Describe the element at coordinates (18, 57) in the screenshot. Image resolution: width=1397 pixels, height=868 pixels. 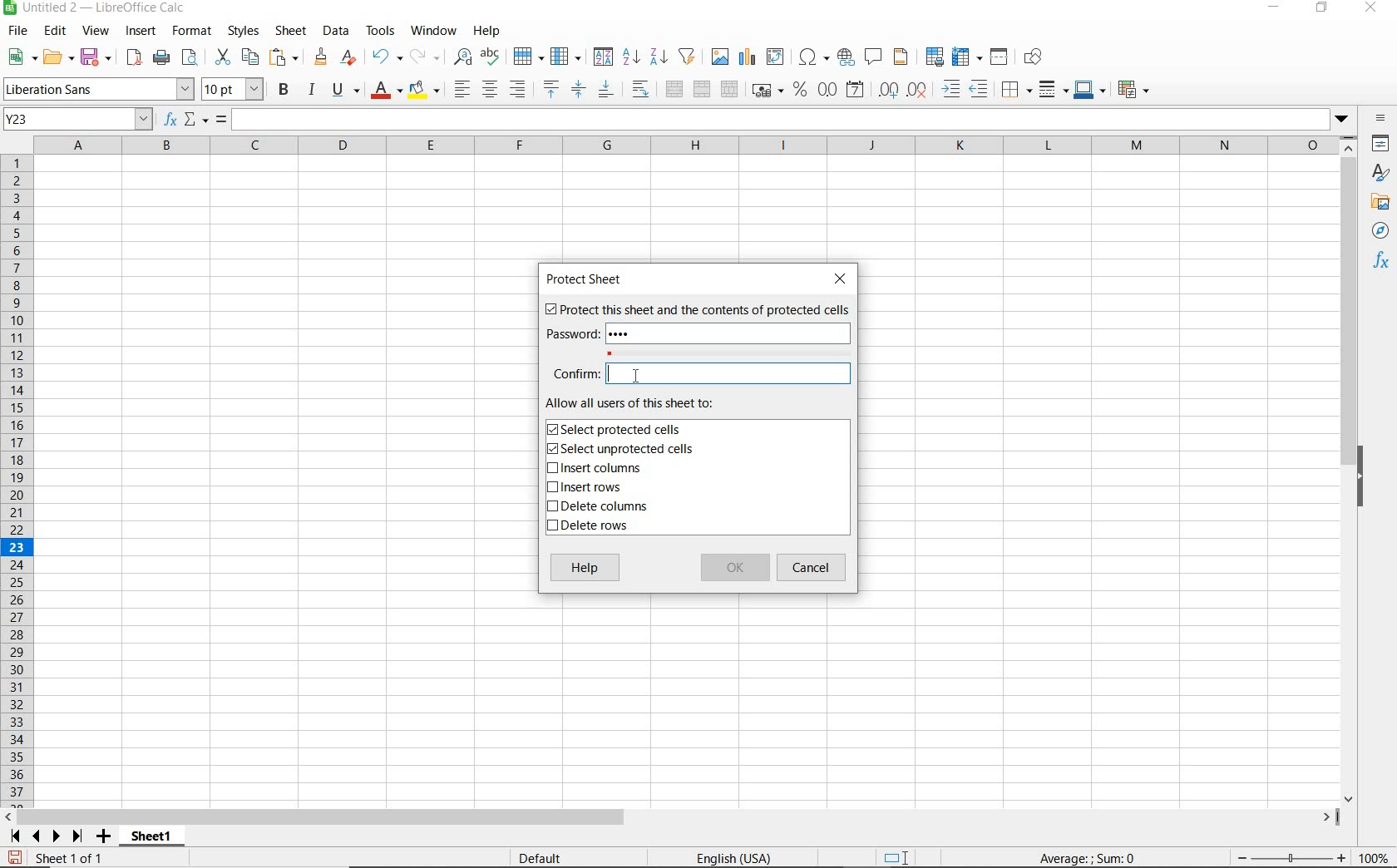
I see `NEW` at that location.